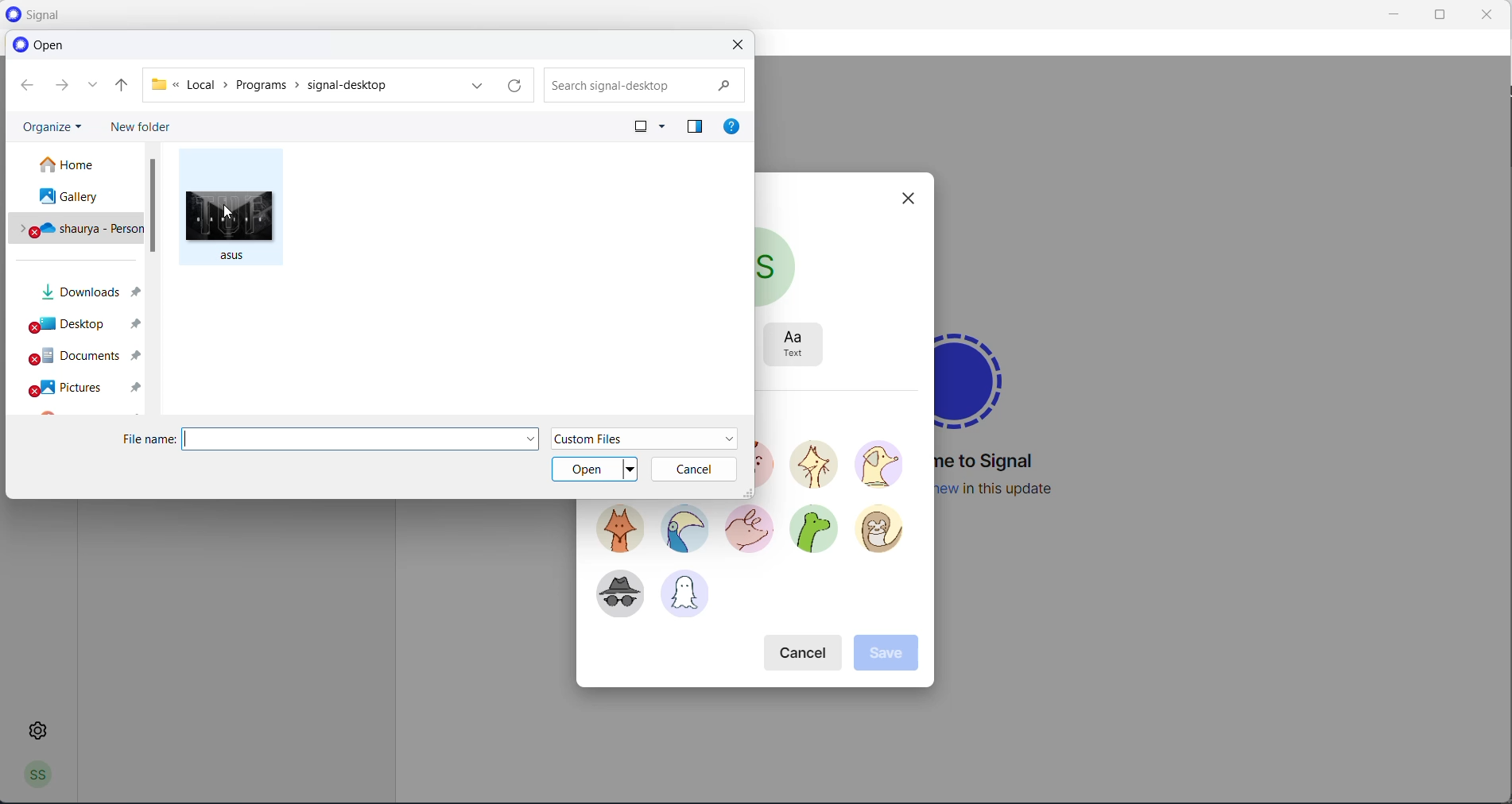  What do you see at coordinates (516, 86) in the screenshot?
I see `refresh` at bounding box center [516, 86].